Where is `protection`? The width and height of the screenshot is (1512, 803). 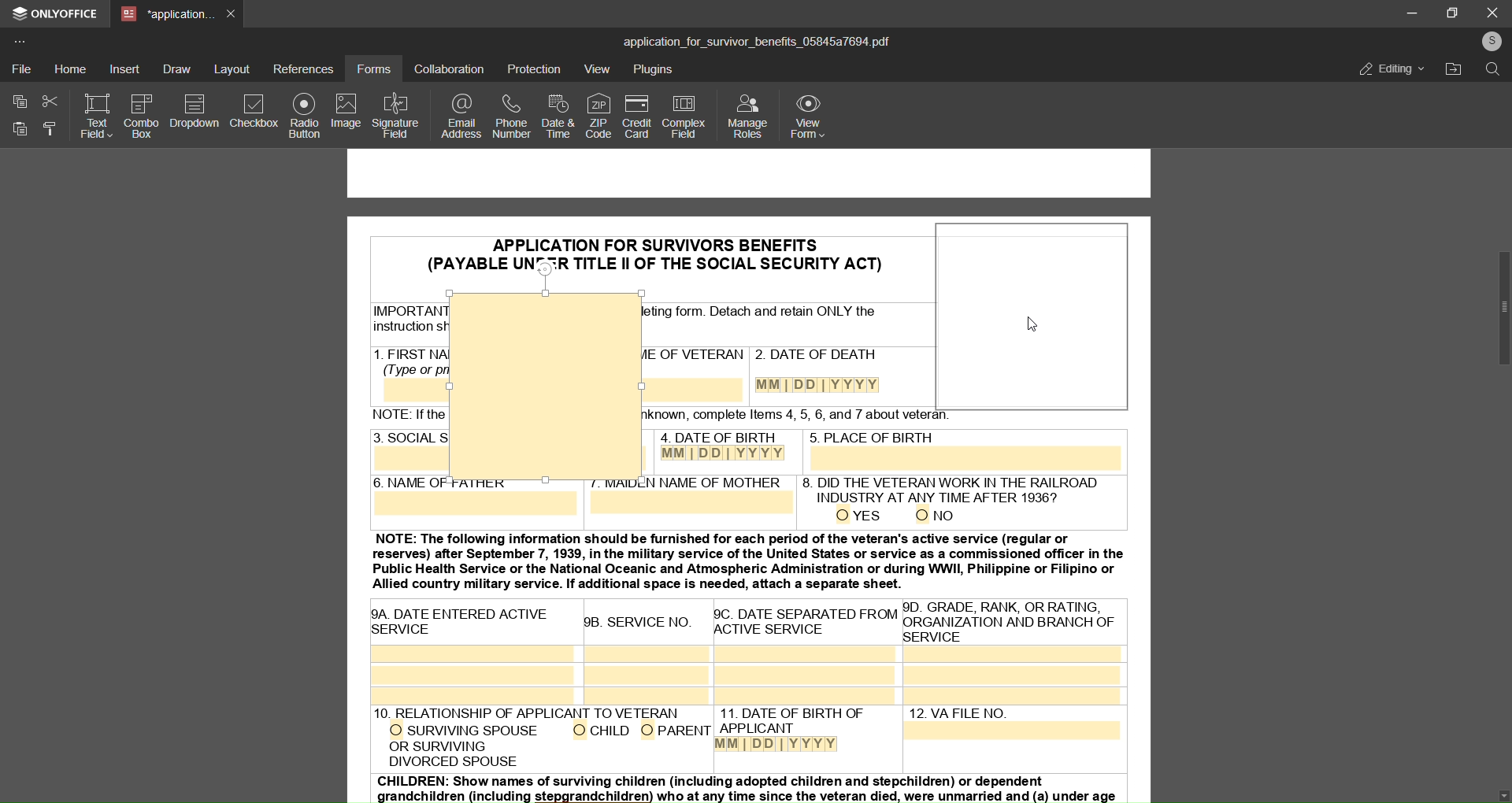
protection is located at coordinates (535, 68).